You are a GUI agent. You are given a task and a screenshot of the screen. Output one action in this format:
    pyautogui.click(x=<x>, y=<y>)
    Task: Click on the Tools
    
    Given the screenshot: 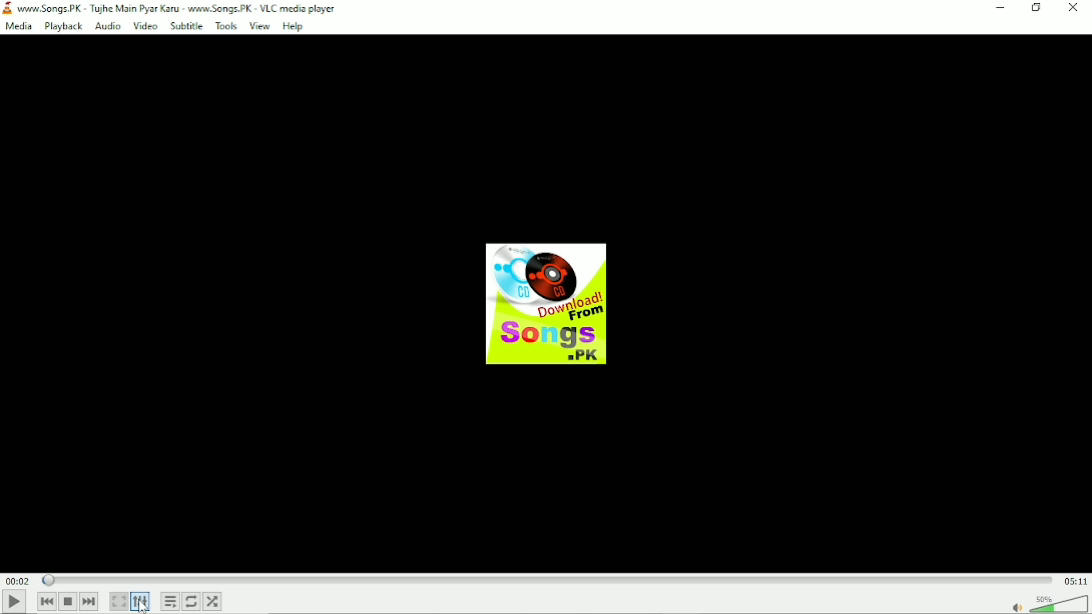 What is the action you would take?
    pyautogui.click(x=226, y=26)
    